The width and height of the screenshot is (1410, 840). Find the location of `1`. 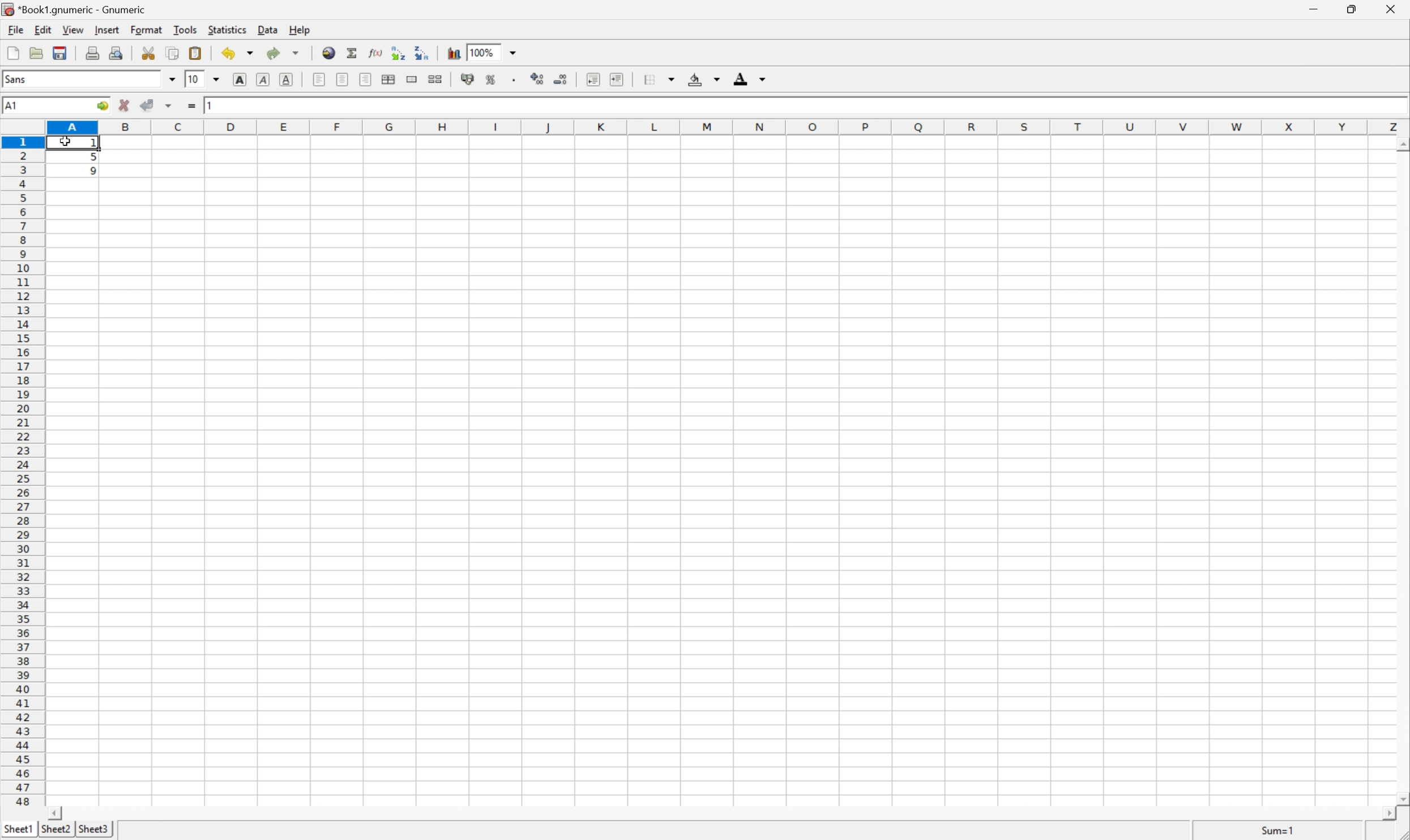

1 is located at coordinates (96, 144).